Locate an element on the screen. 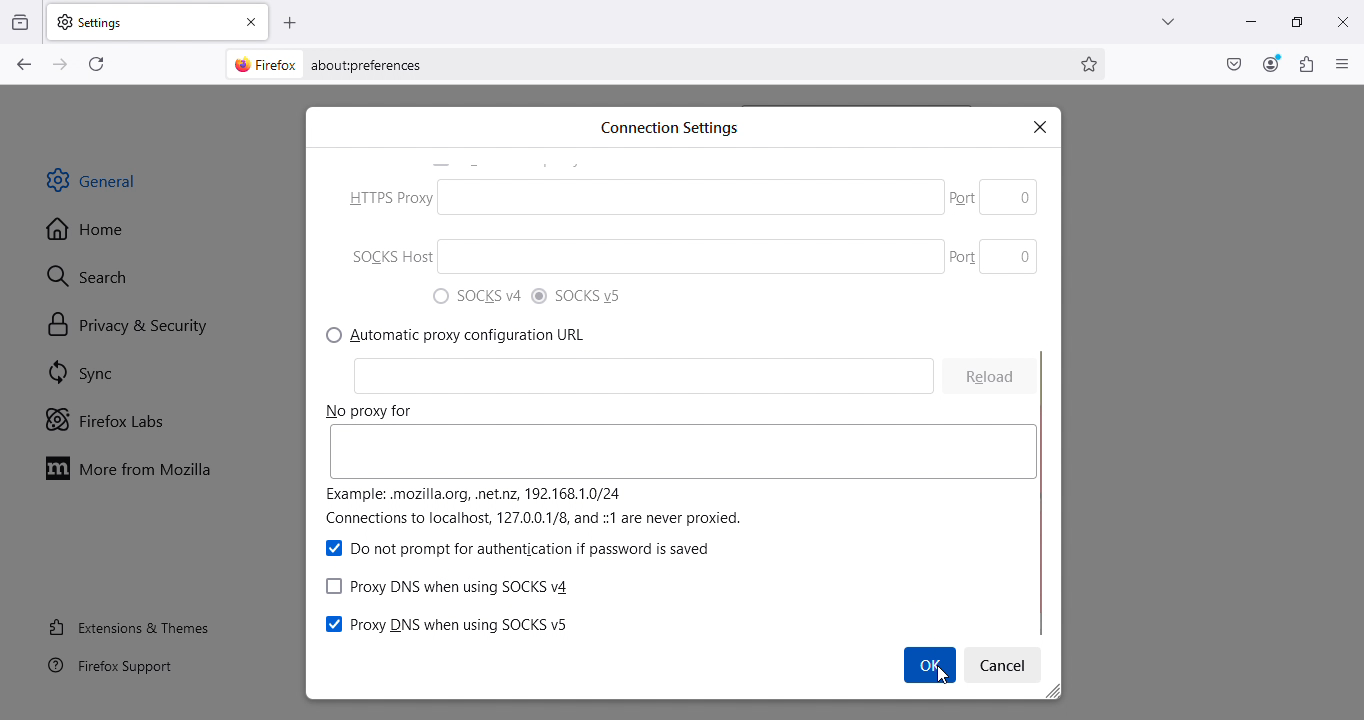  Go back one page is located at coordinates (22, 65).